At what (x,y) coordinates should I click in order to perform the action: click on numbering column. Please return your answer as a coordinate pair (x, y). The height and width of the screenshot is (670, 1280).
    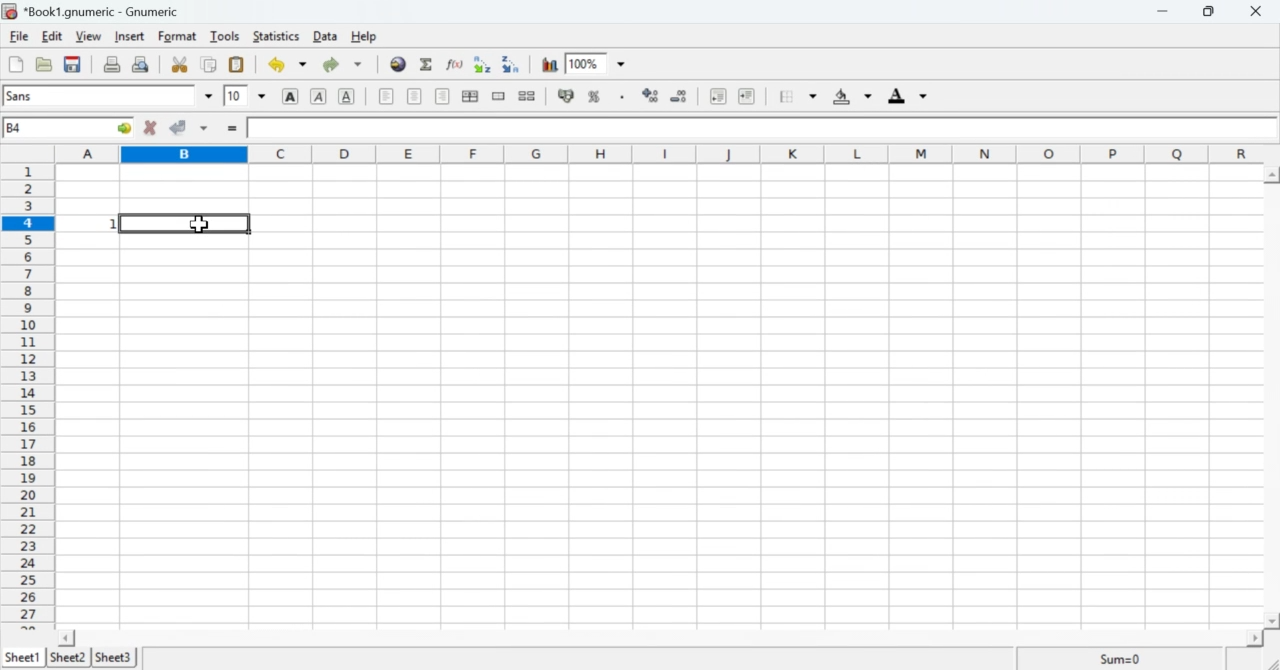
    Looking at the image, I should click on (26, 396).